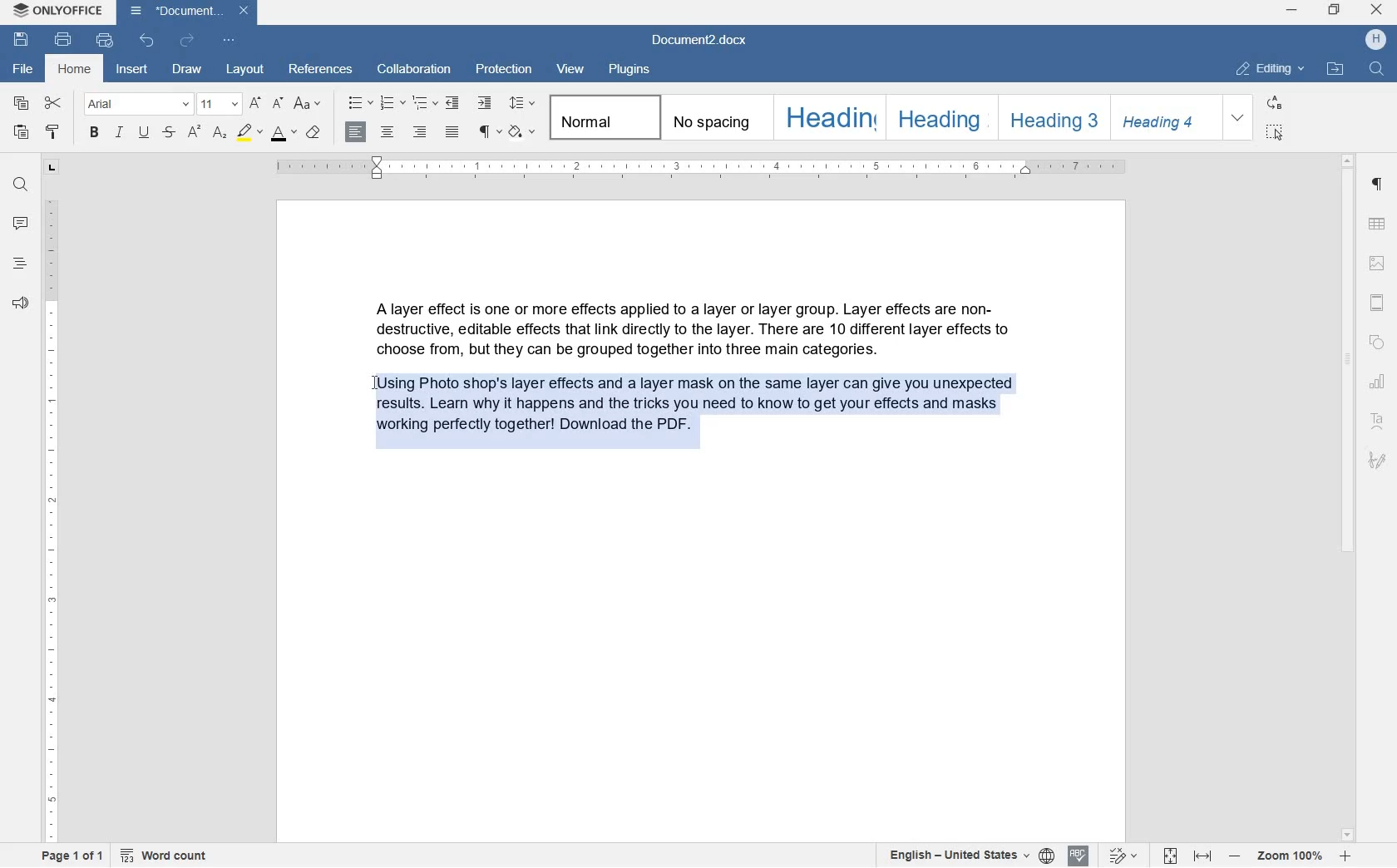  What do you see at coordinates (219, 133) in the screenshot?
I see `SUBSCRIPT` at bounding box center [219, 133].